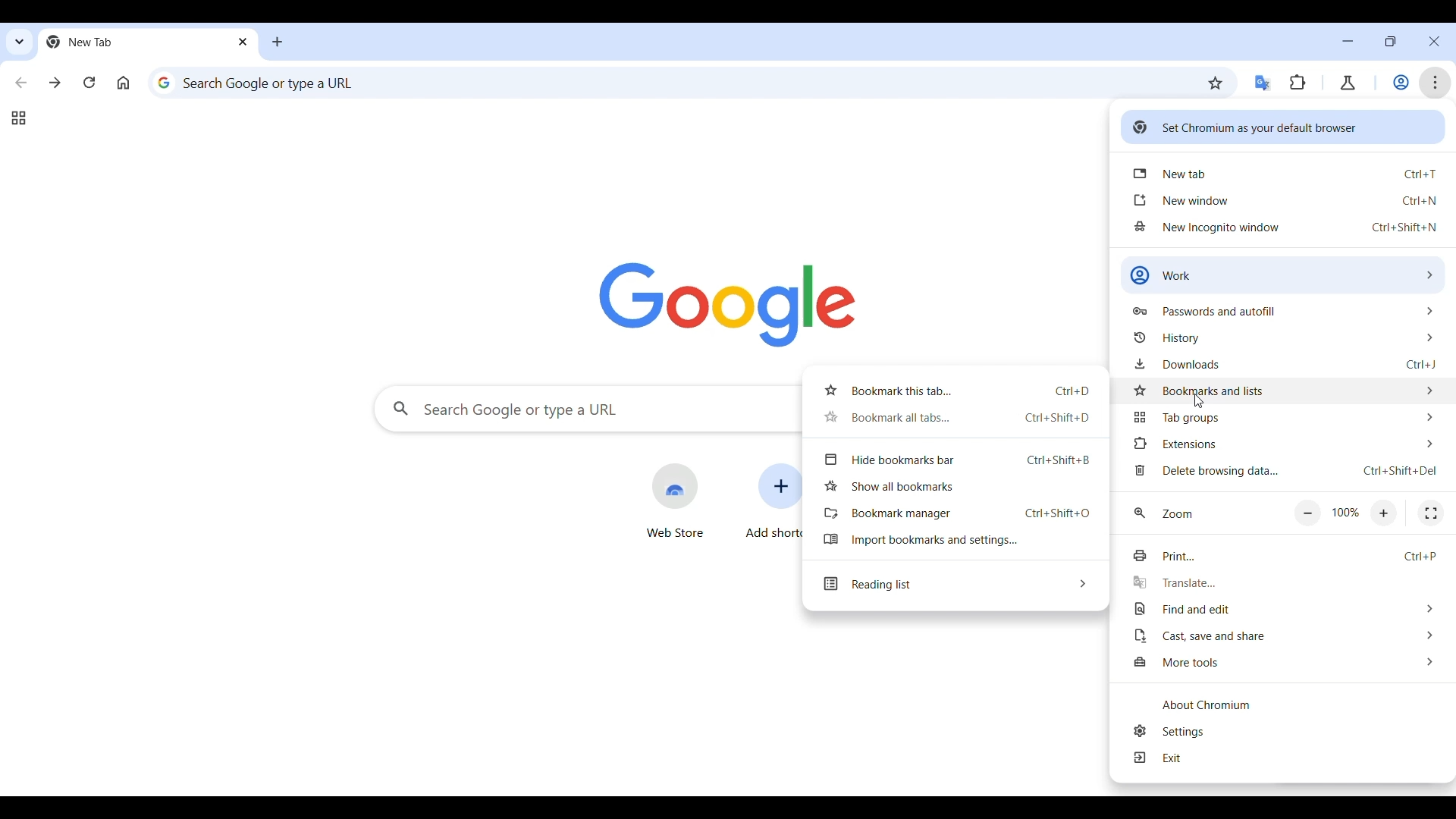 The height and width of the screenshot is (819, 1456). I want to click on Reading list, so click(955, 585).